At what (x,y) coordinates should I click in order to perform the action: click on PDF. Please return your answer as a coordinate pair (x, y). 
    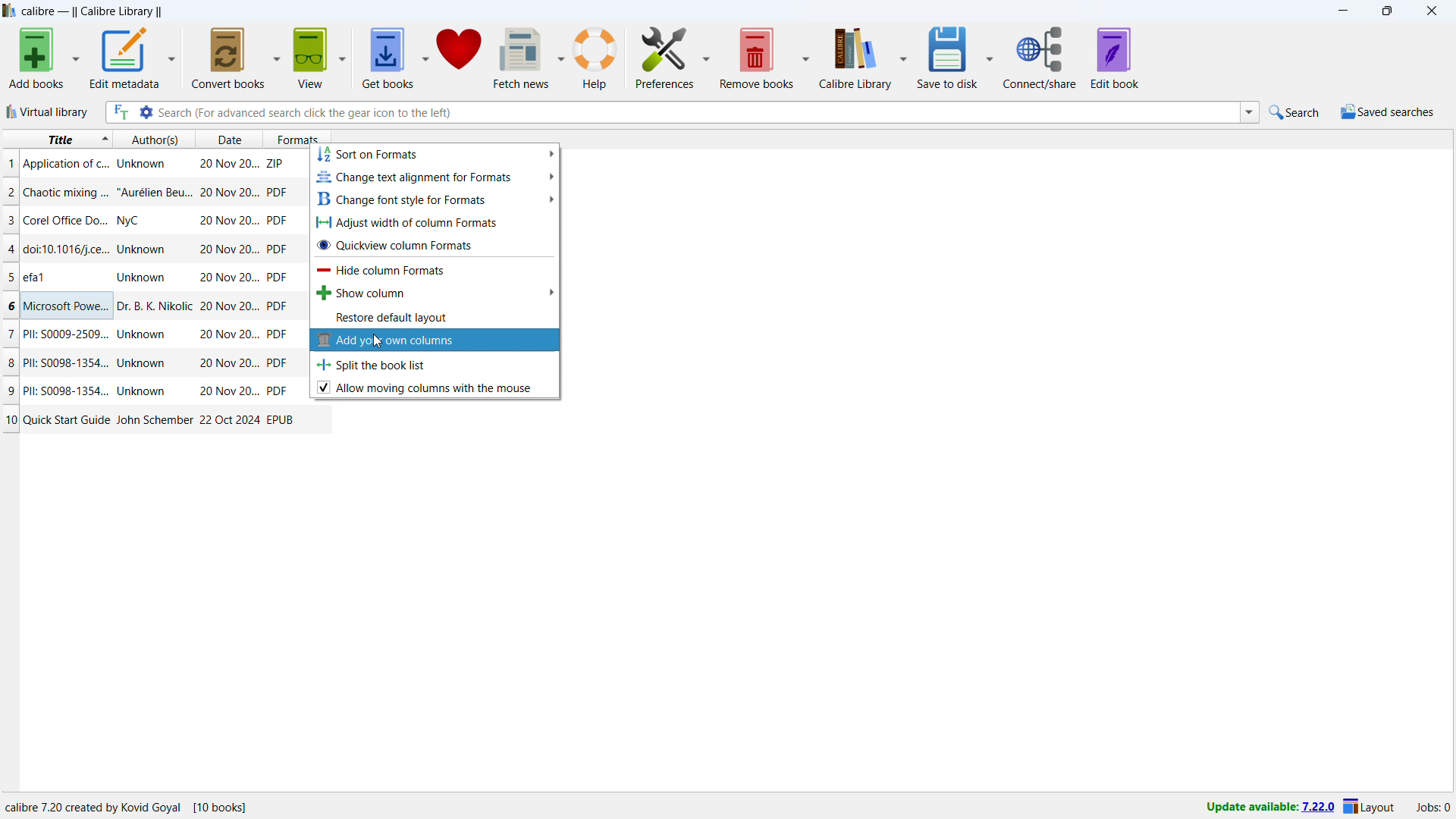
    Looking at the image, I should click on (277, 192).